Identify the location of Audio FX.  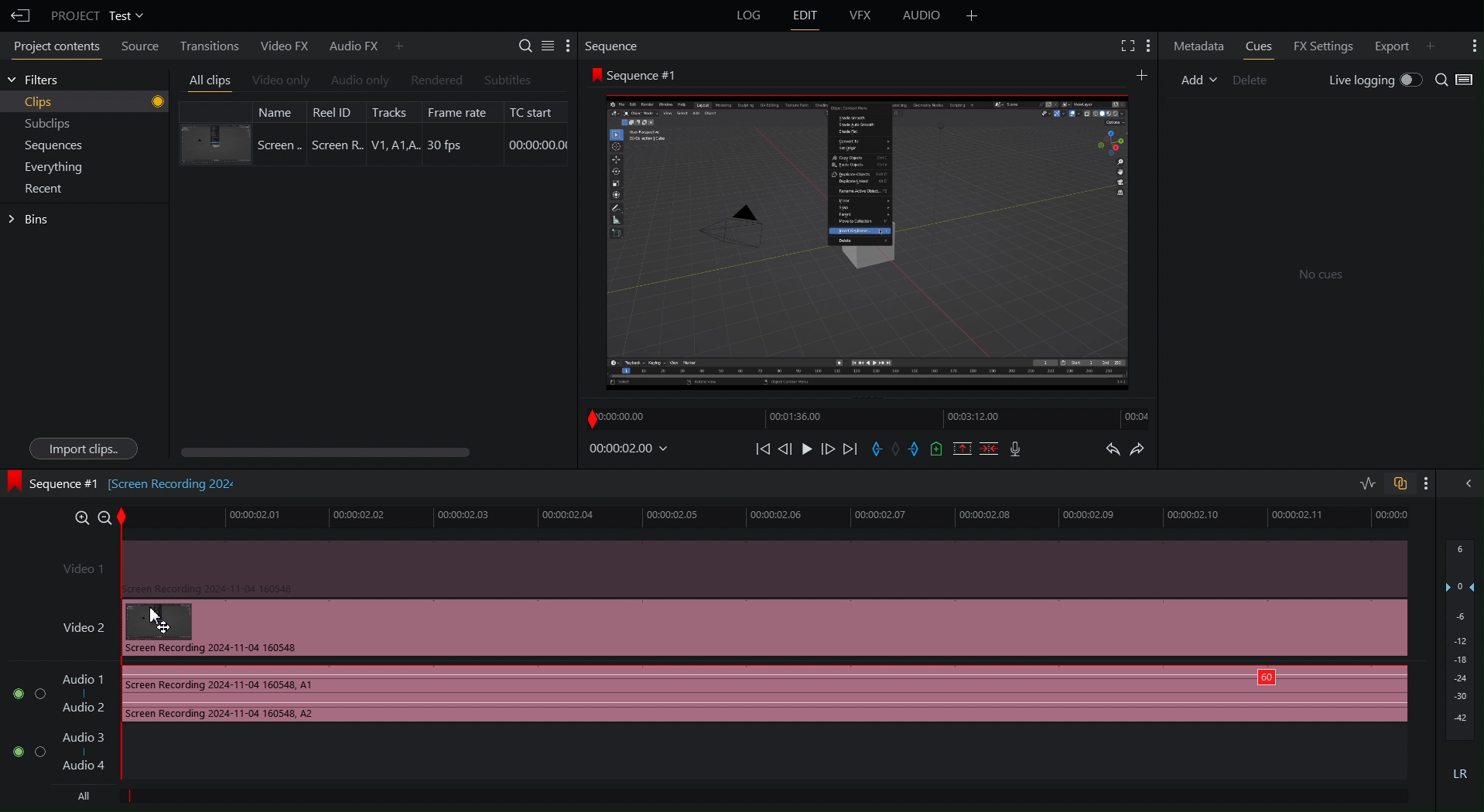
(362, 45).